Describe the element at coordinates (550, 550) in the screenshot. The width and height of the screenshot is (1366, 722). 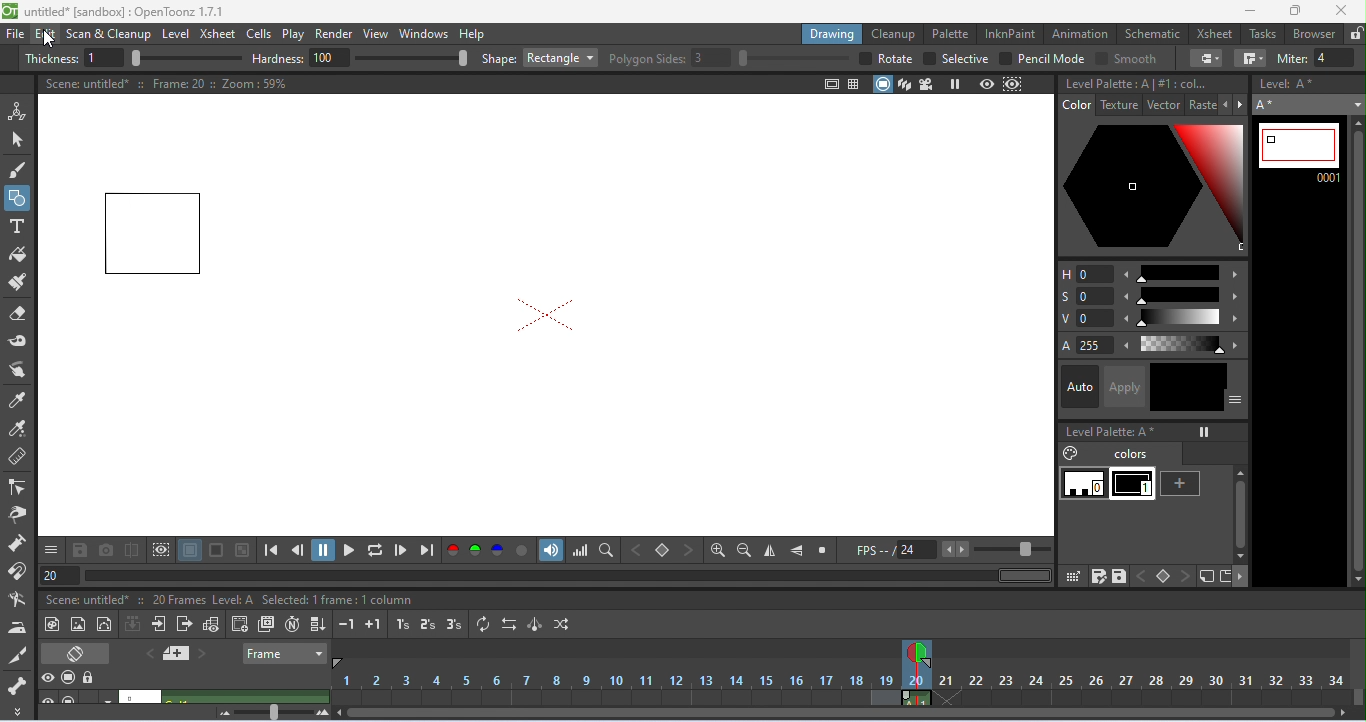
I see `sound track` at that location.